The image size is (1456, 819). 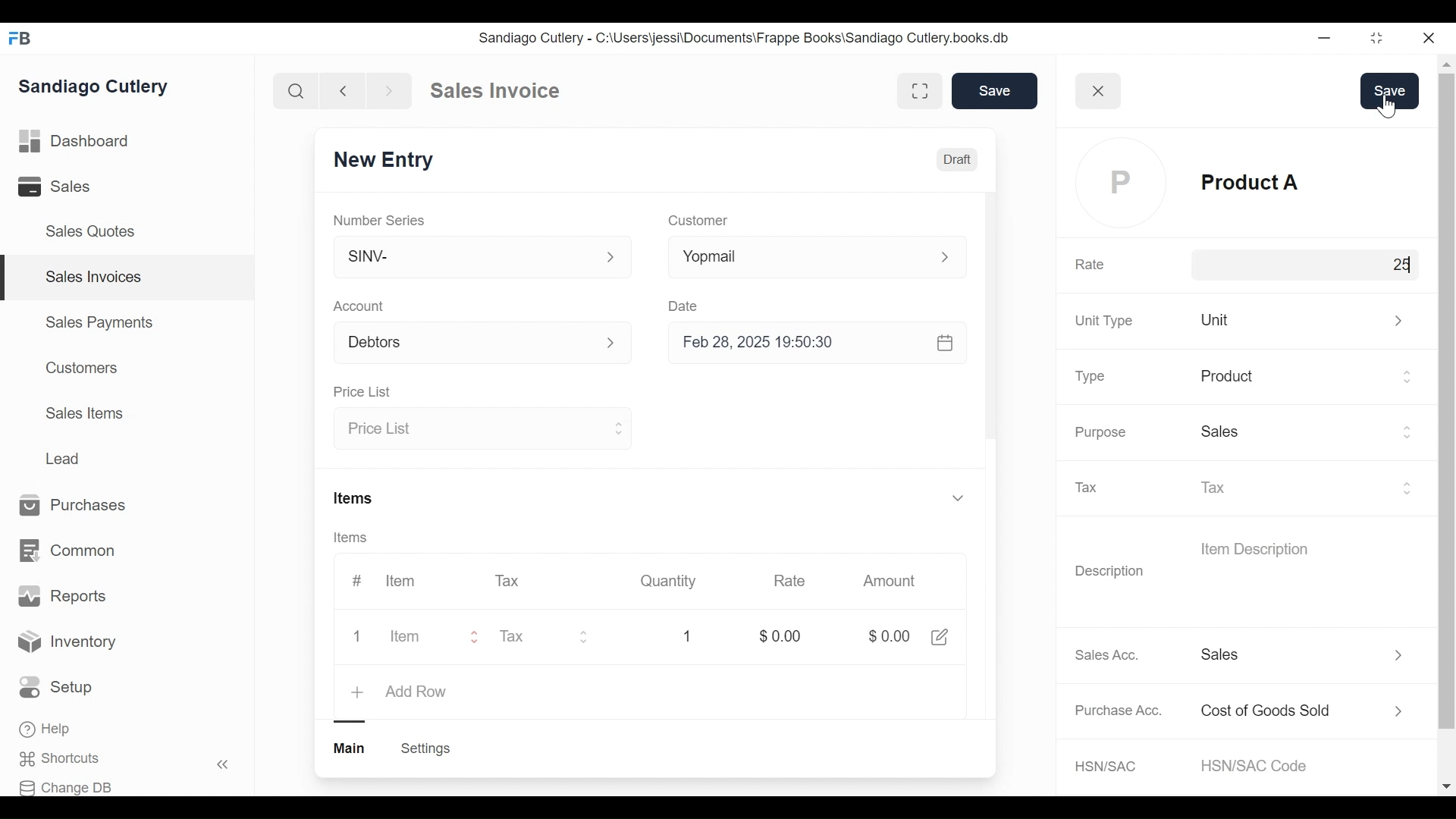 What do you see at coordinates (1262, 765) in the screenshot?
I see `HSN/SAC Code` at bounding box center [1262, 765].